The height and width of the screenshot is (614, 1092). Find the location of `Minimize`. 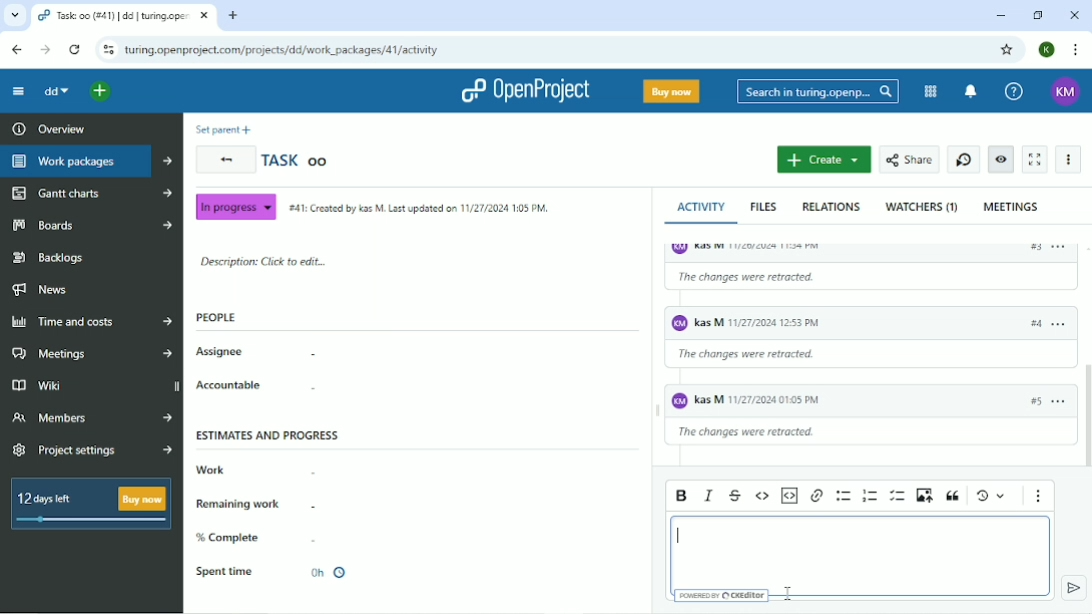

Minimize is located at coordinates (999, 16).